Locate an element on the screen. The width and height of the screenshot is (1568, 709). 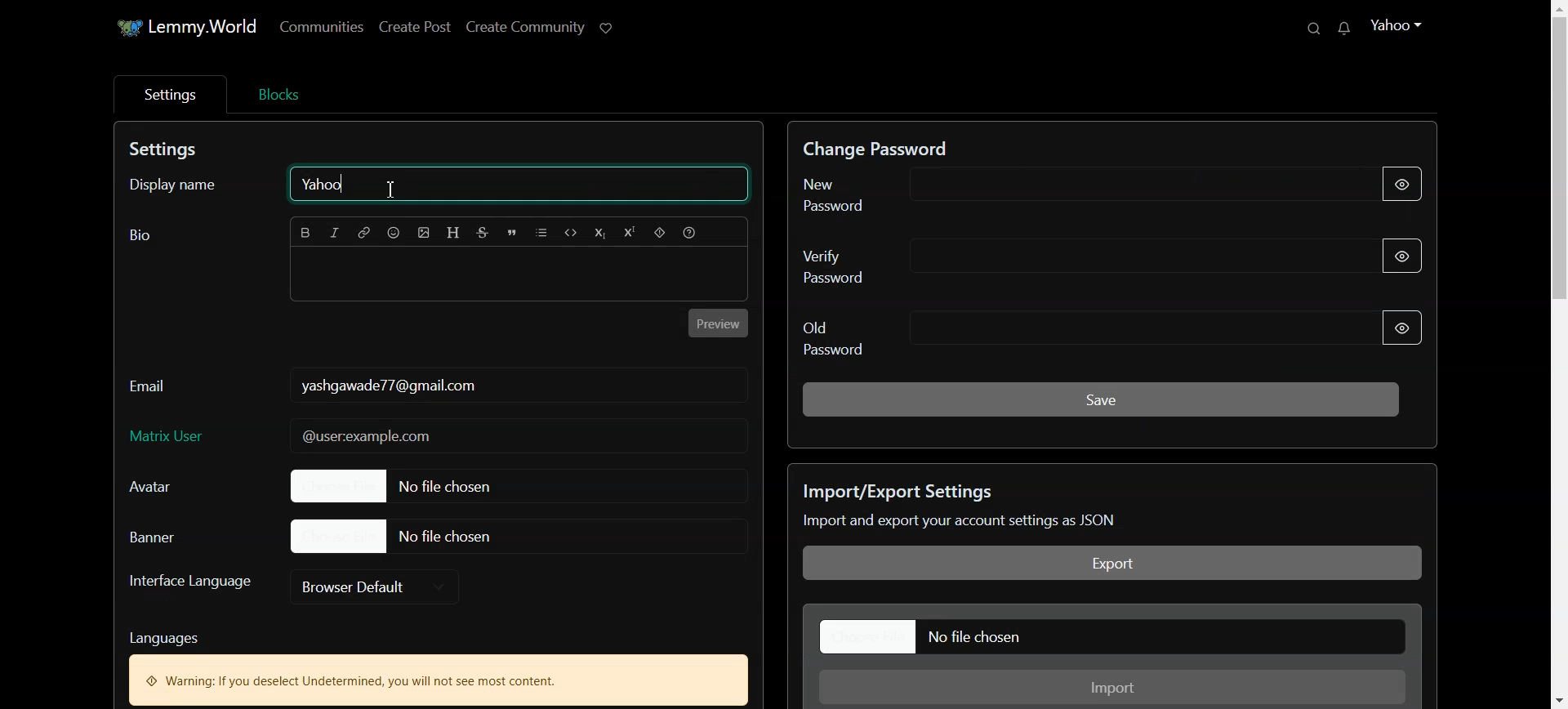
Superscript is located at coordinates (628, 234).